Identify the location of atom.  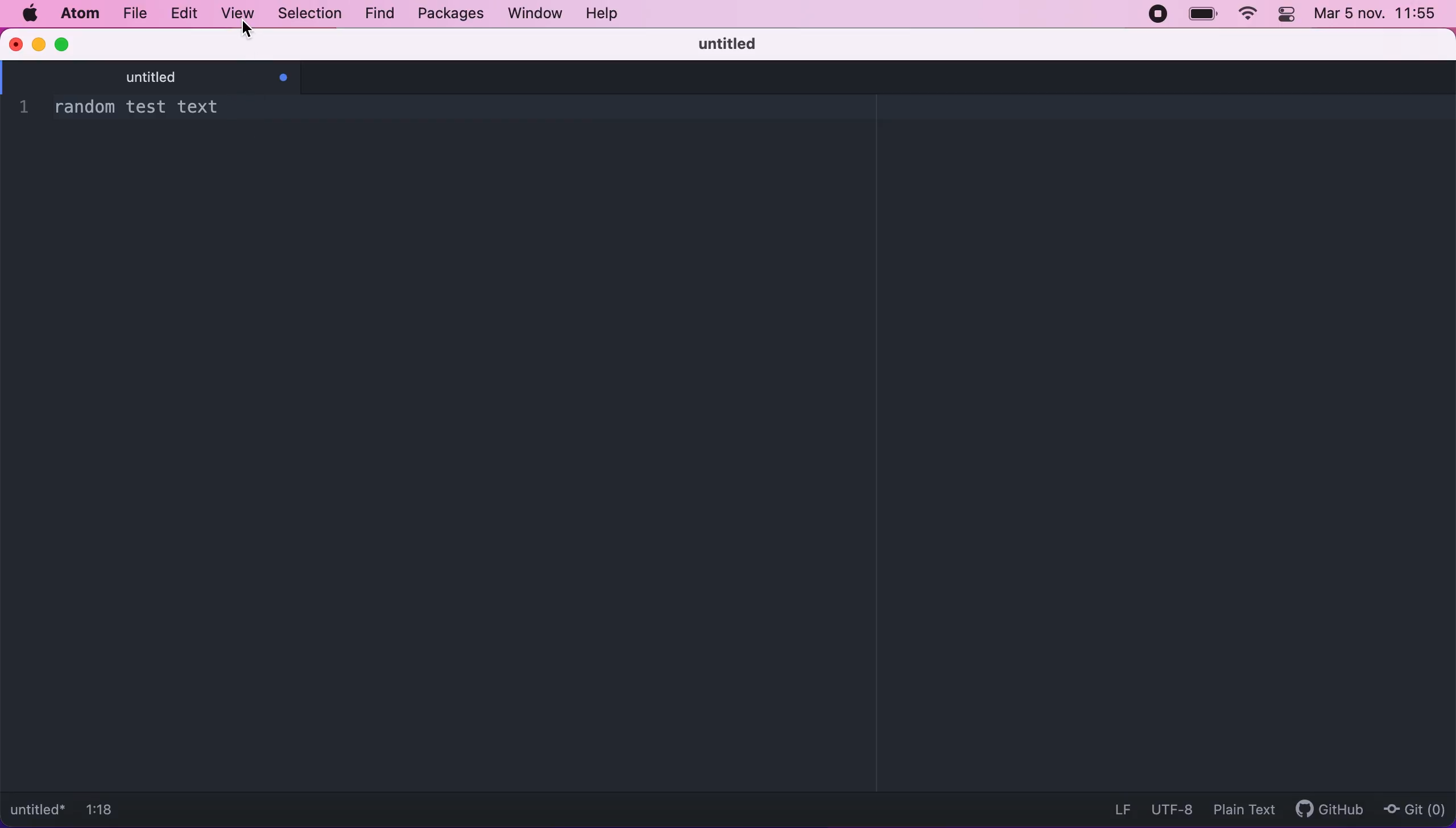
(83, 14).